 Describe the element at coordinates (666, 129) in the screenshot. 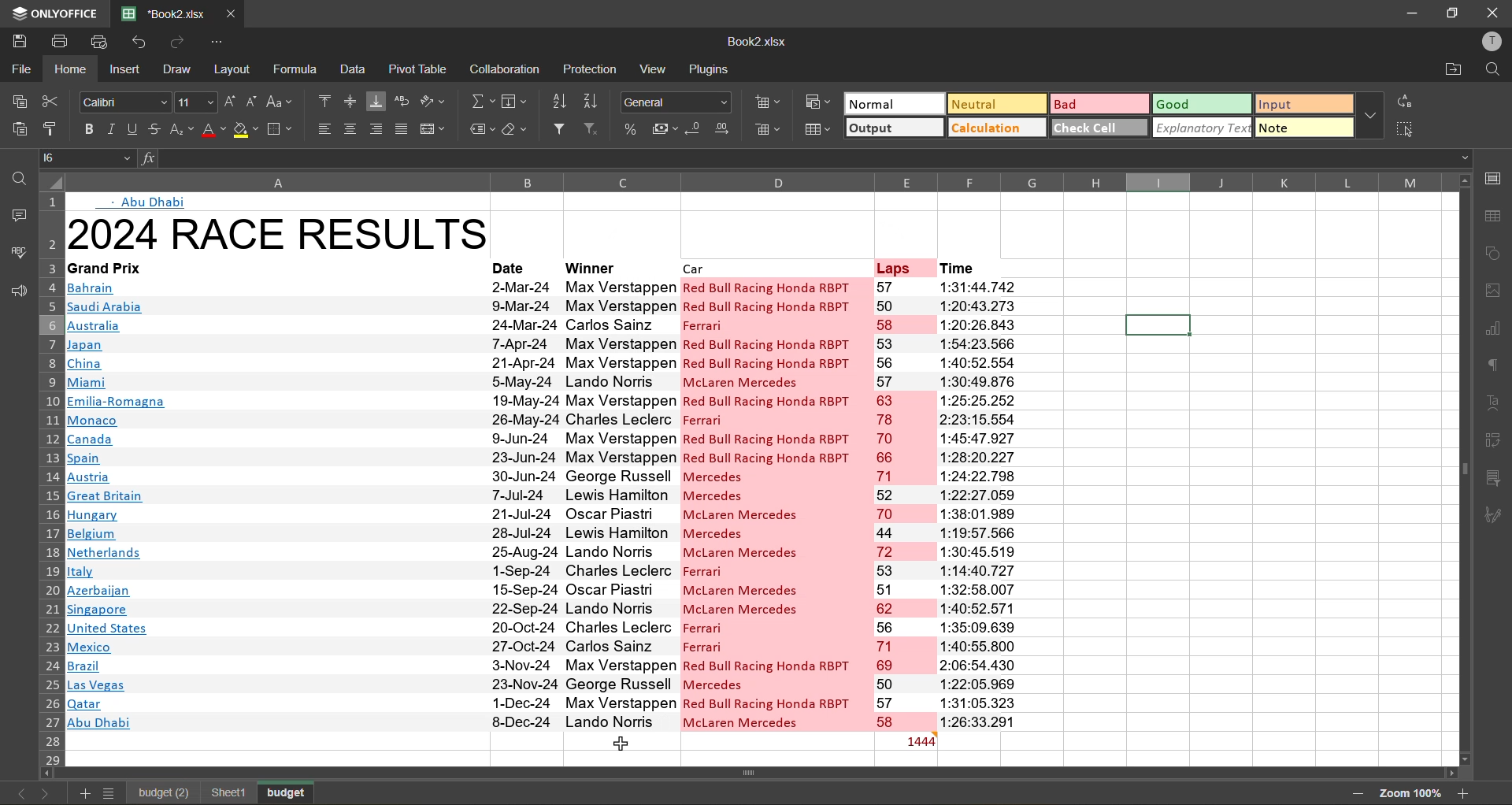

I see `accounting` at that location.